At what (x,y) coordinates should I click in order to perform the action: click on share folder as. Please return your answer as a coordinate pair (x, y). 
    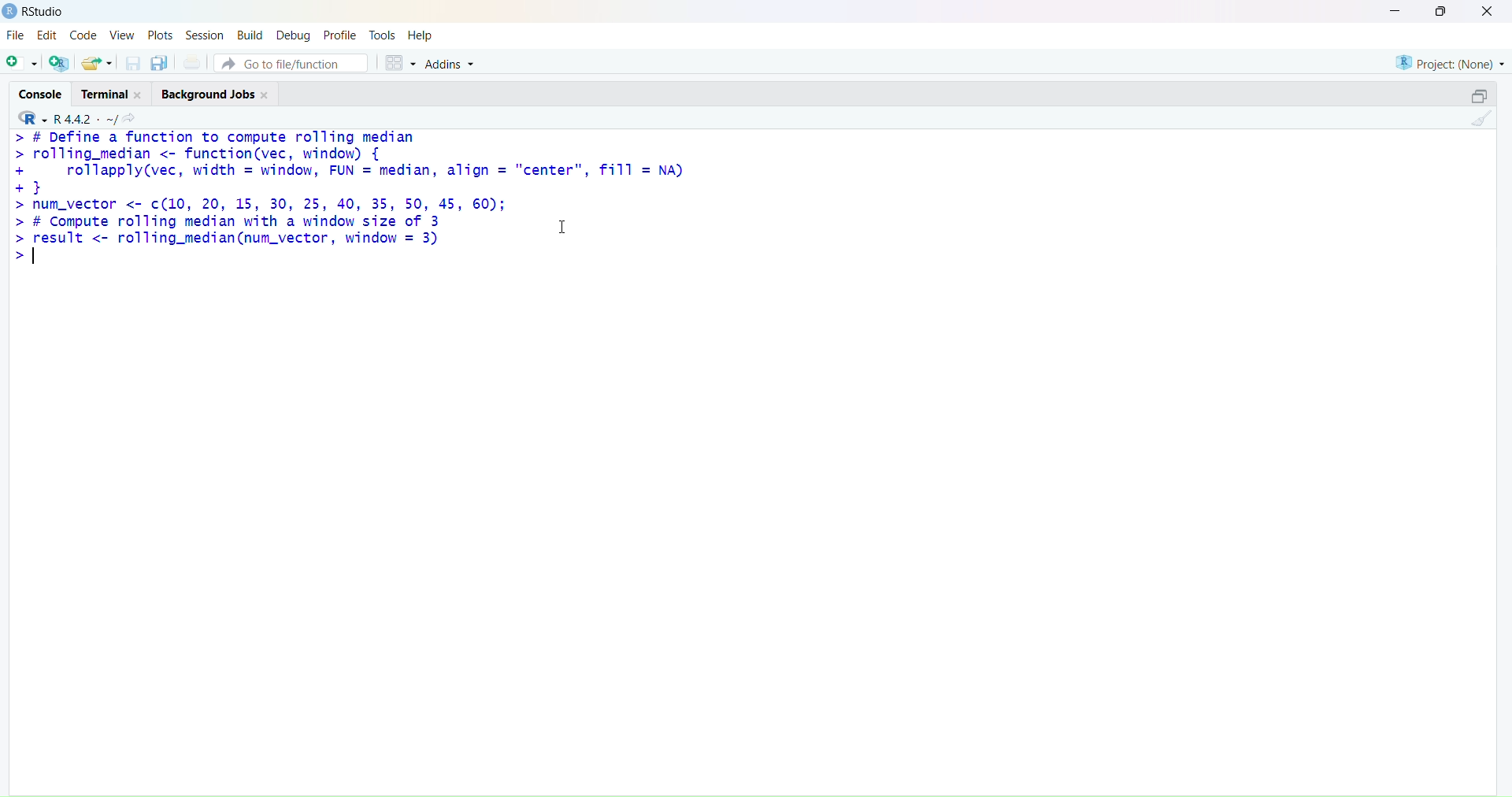
    Looking at the image, I should click on (97, 63).